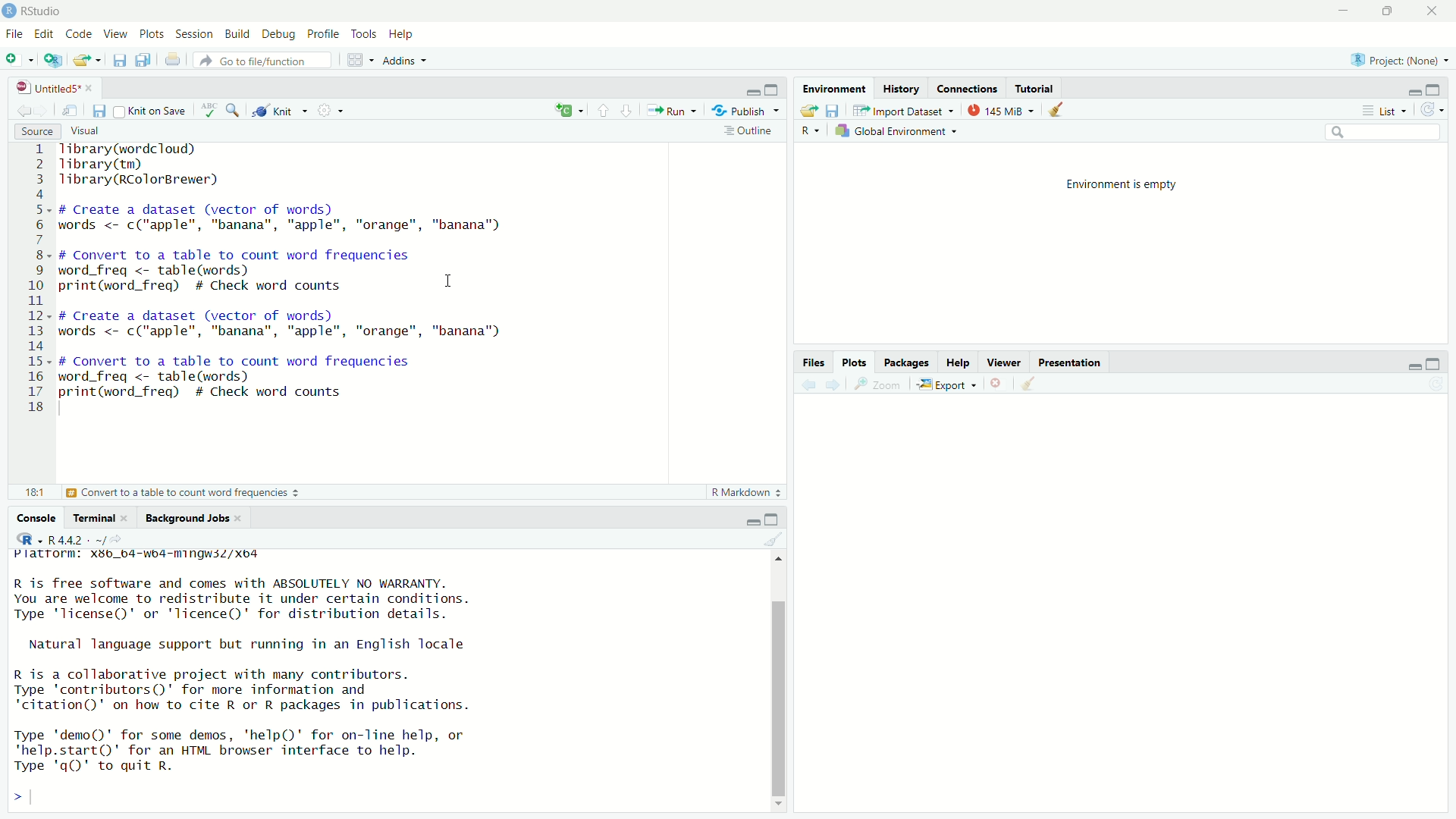  Describe the element at coordinates (1339, 11) in the screenshot. I see `Minimize` at that location.